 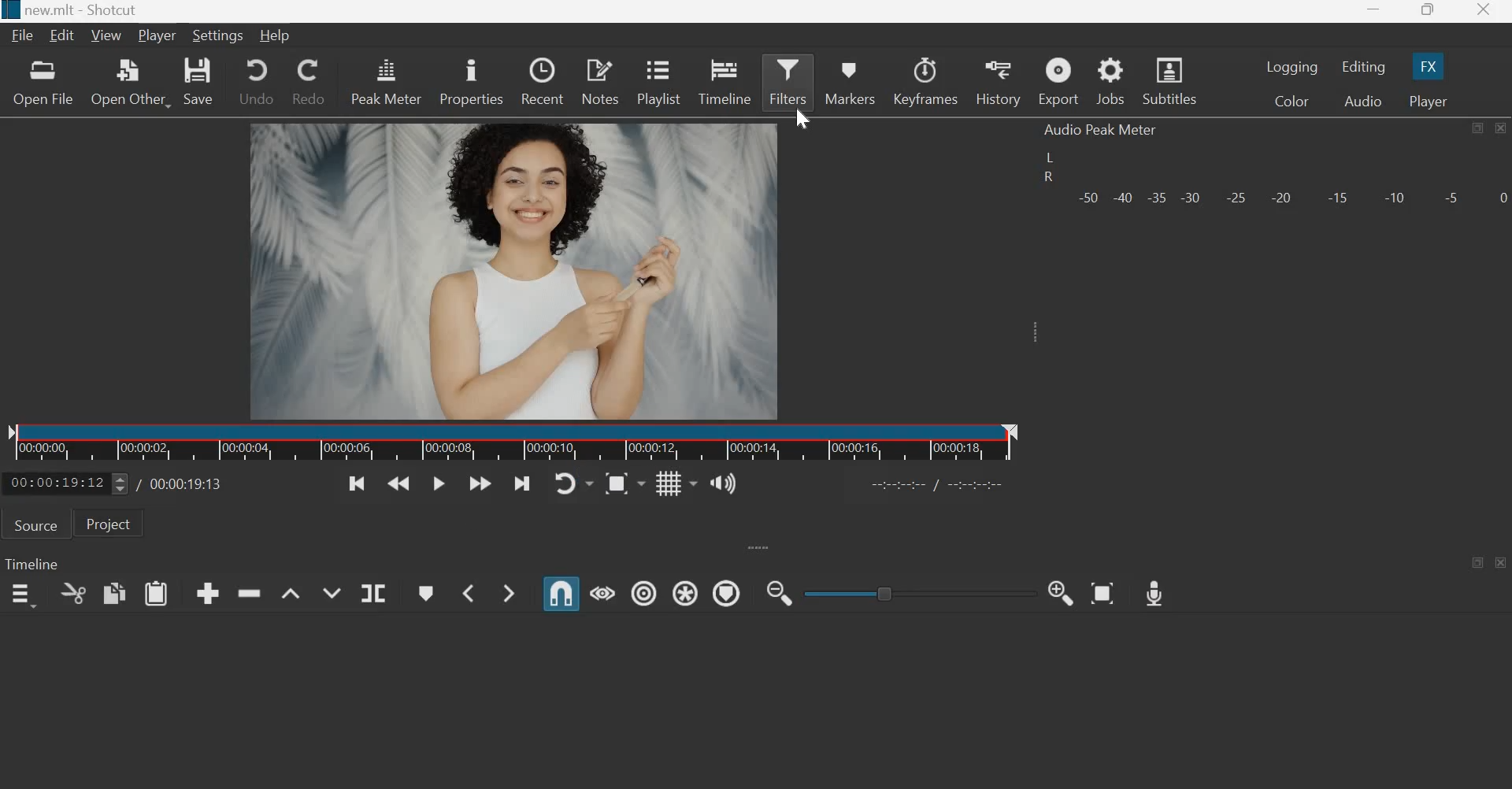 I want to click on Toggle player looping, so click(x=573, y=482).